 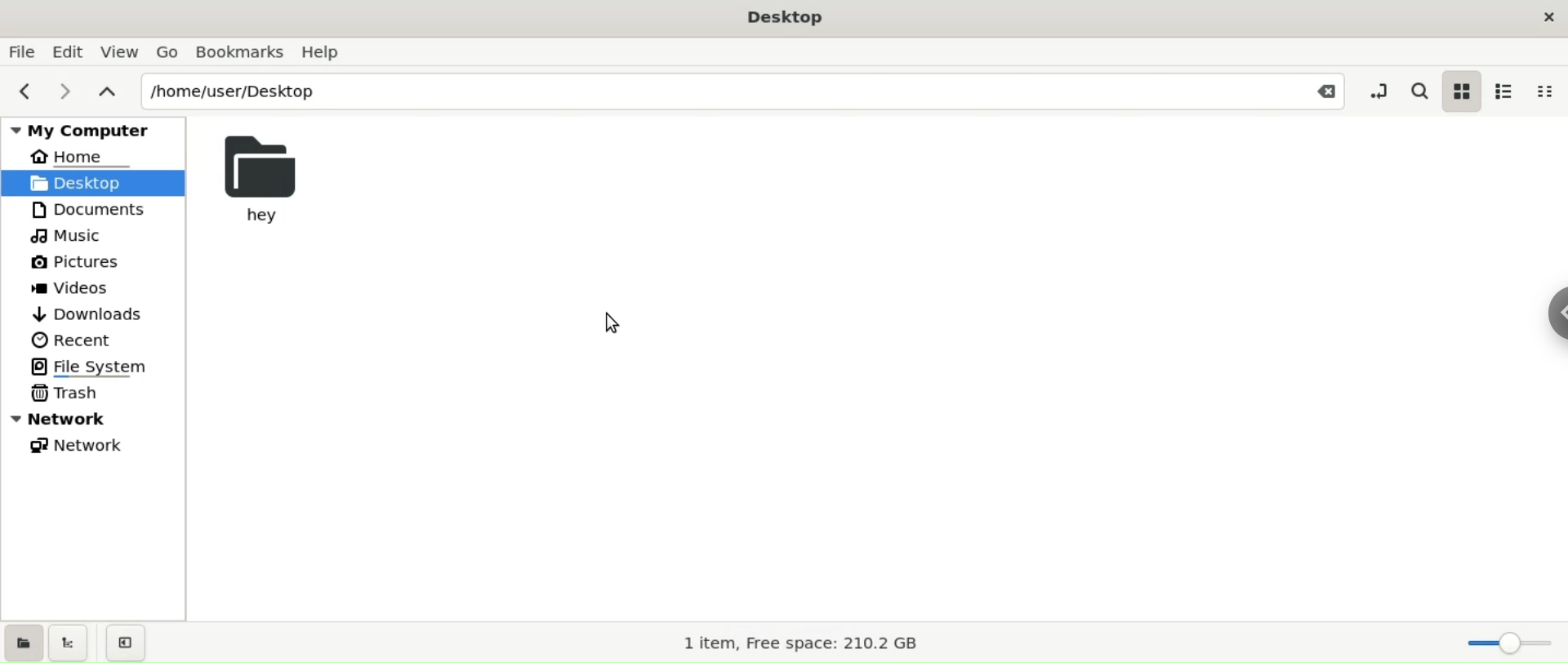 I want to click on list view, so click(x=1510, y=92).